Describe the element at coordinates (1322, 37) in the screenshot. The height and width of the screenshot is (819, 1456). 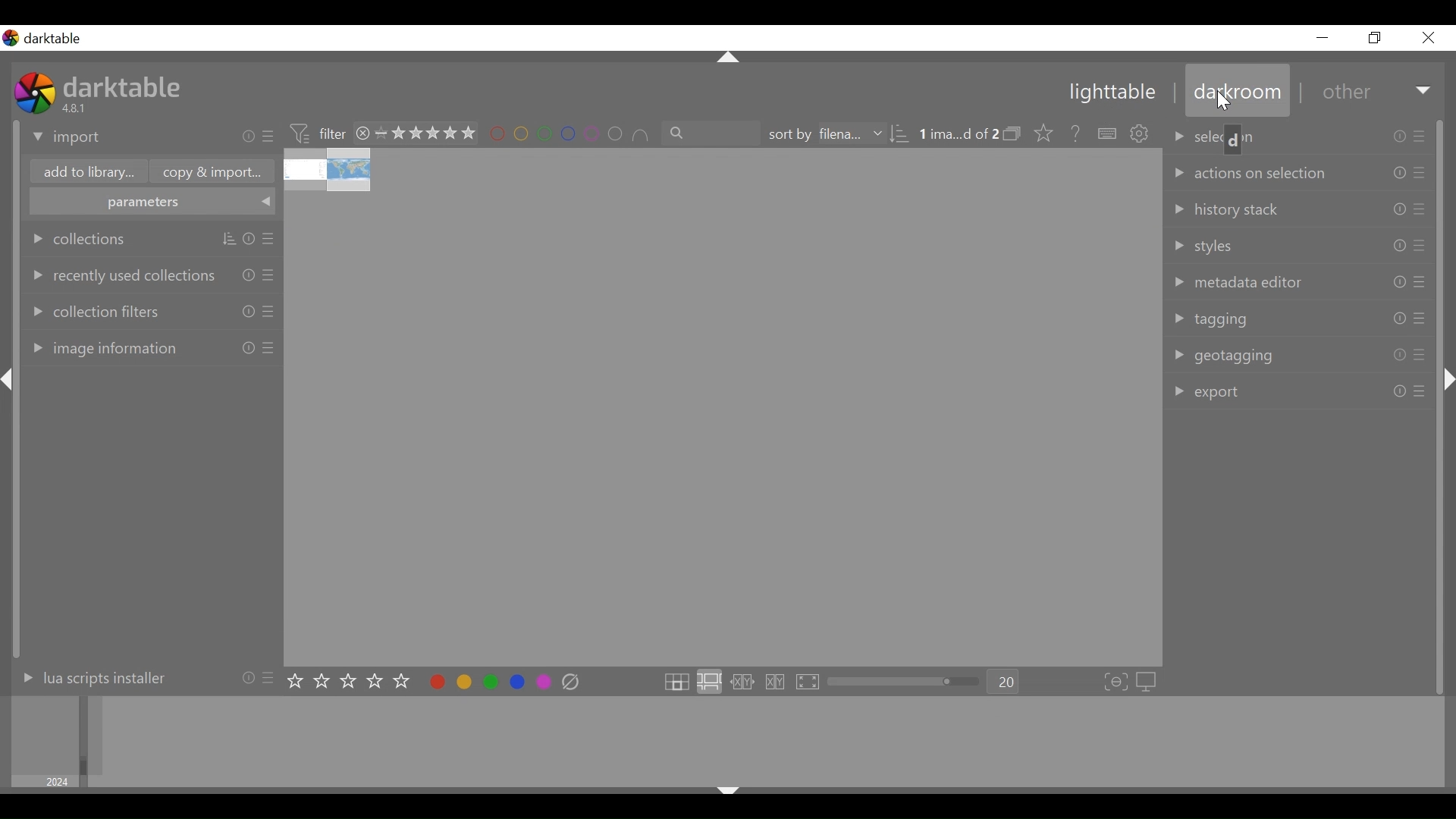
I see `` at that location.